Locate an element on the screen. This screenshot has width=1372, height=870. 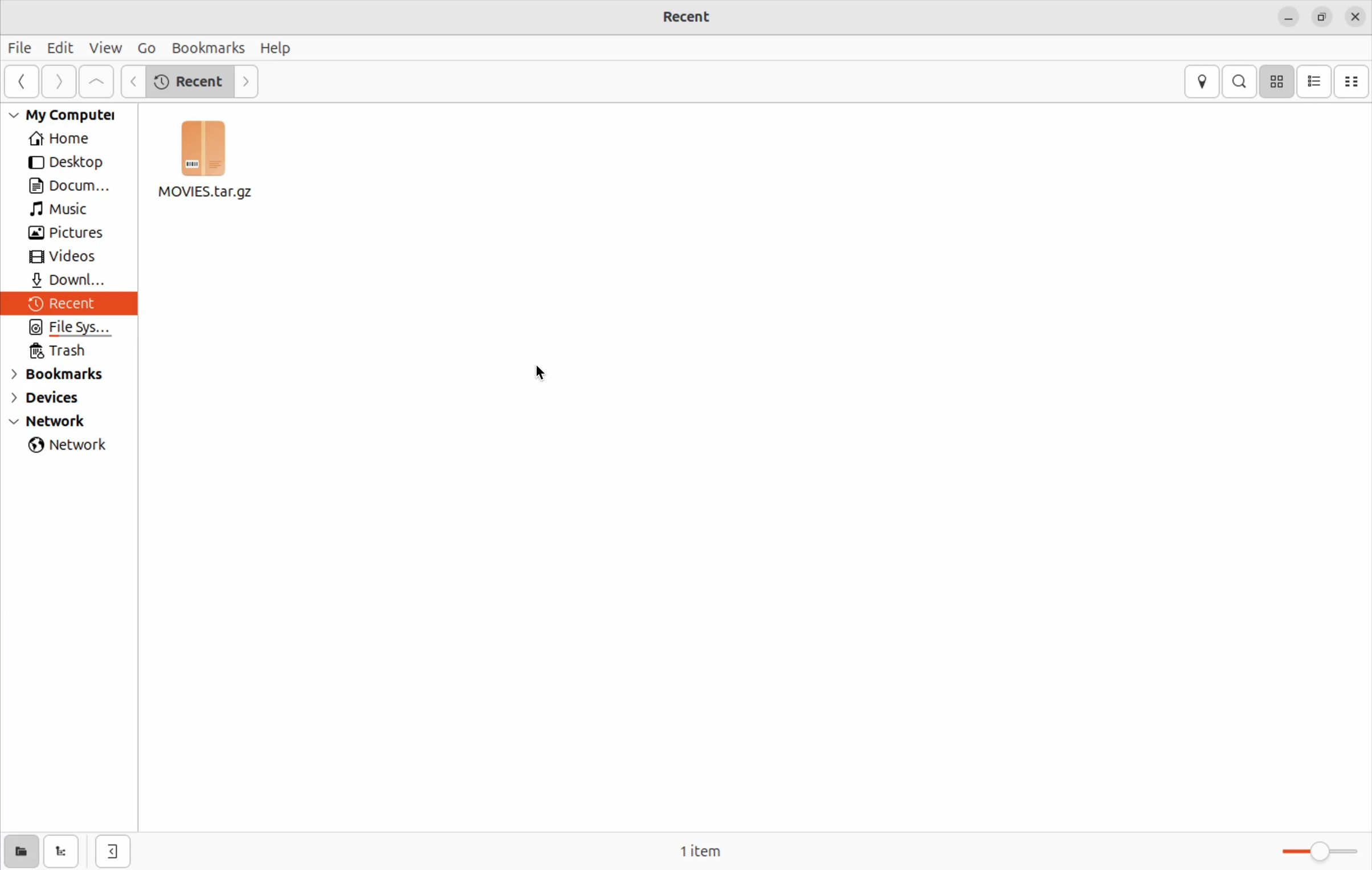
location is located at coordinates (1202, 81).